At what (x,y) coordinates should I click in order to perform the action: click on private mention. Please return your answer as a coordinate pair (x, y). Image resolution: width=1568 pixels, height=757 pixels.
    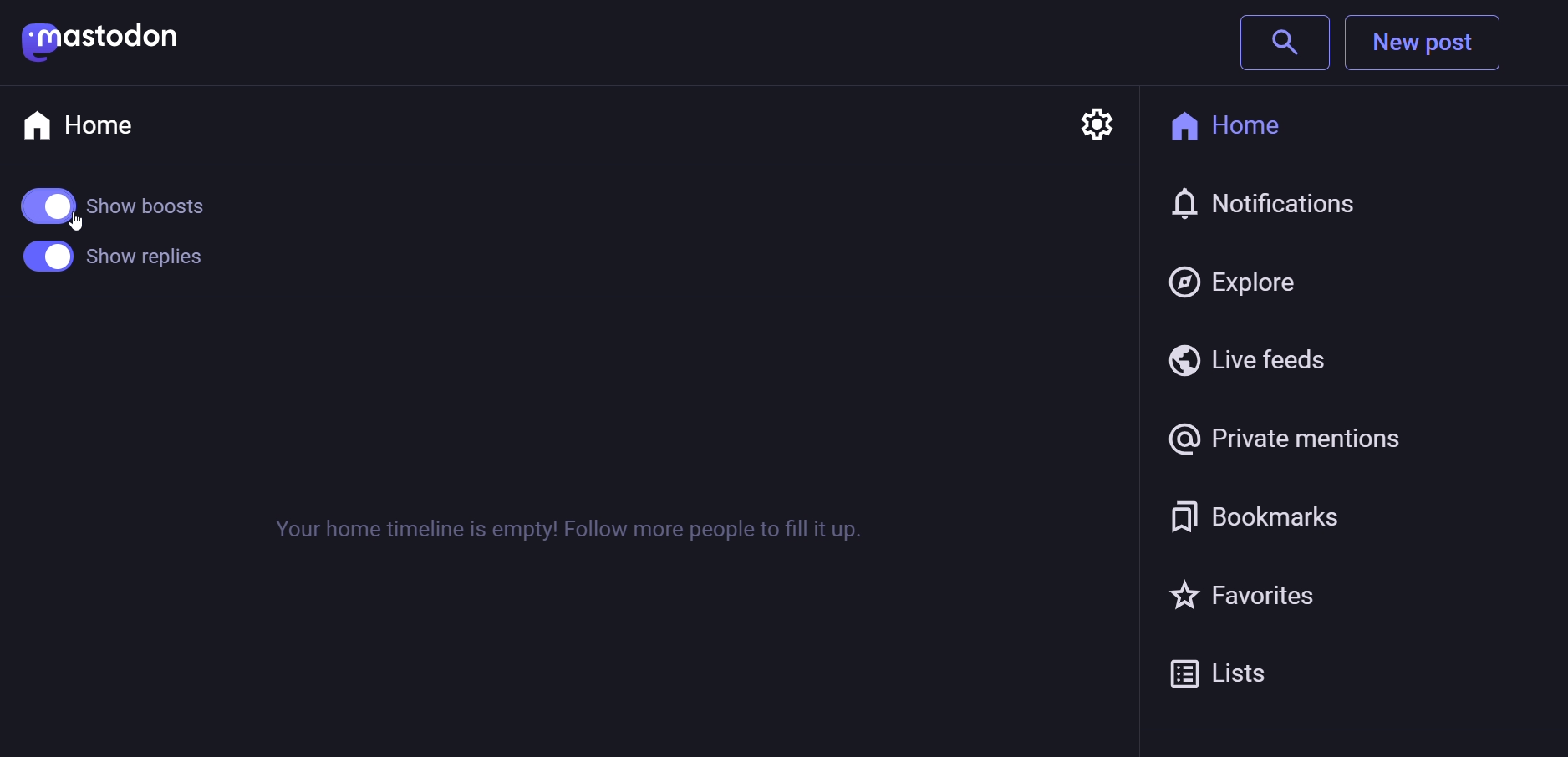
    Looking at the image, I should click on (1289, 434).